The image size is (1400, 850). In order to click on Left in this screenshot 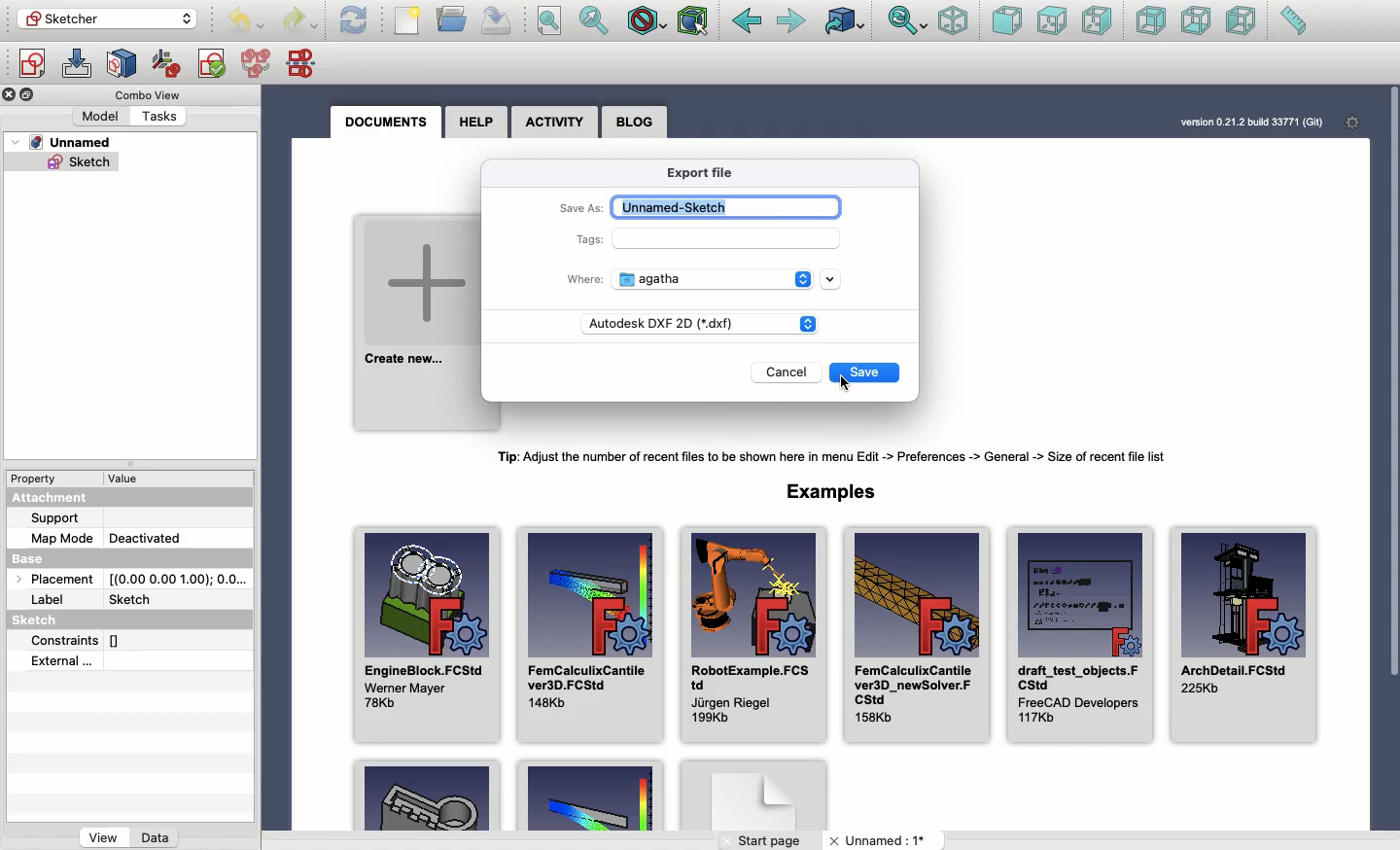, I will do `click(1242, 23)`.